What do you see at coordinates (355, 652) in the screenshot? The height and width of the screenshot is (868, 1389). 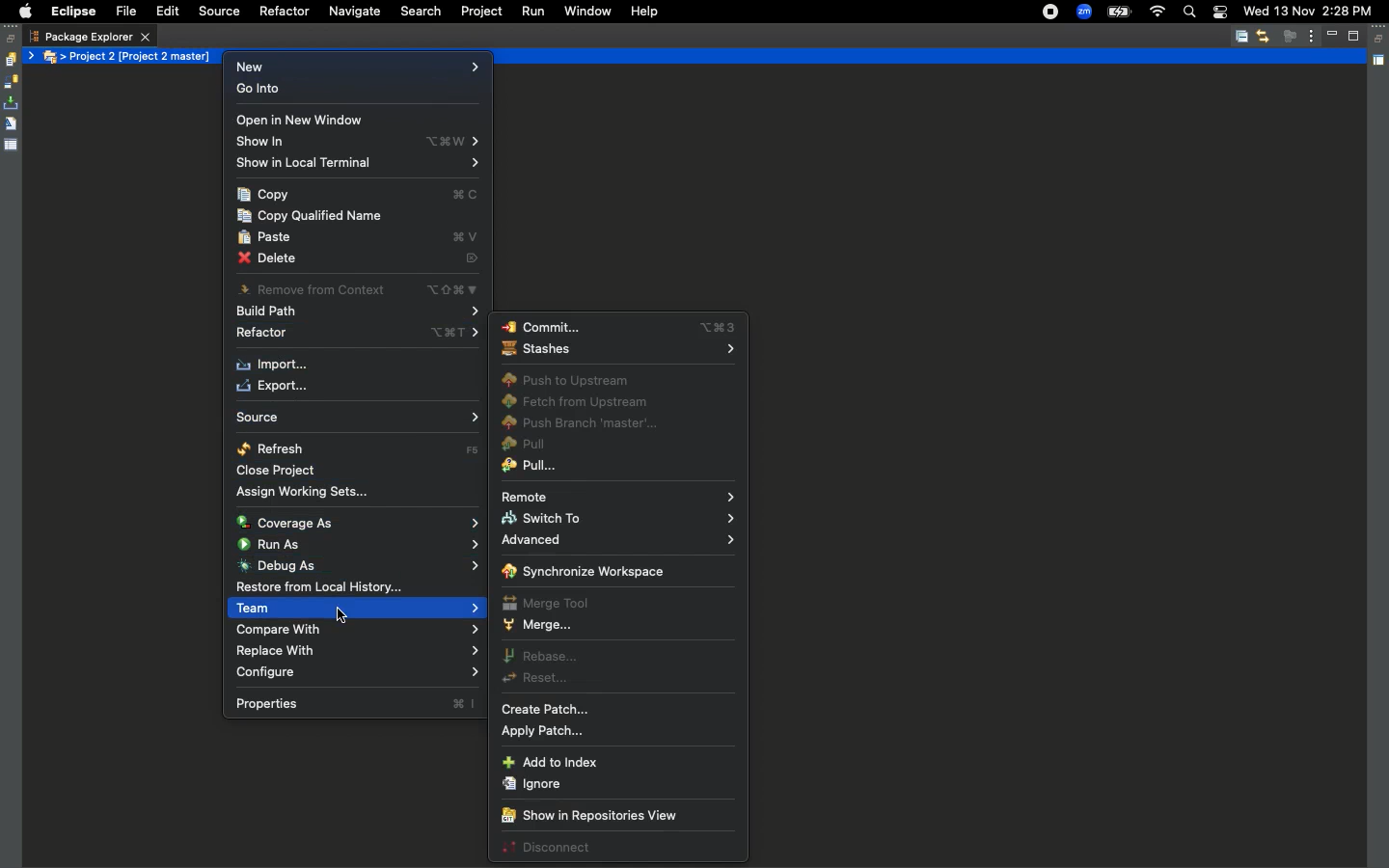 I see `Compare with` at bounding box center [355, 652].